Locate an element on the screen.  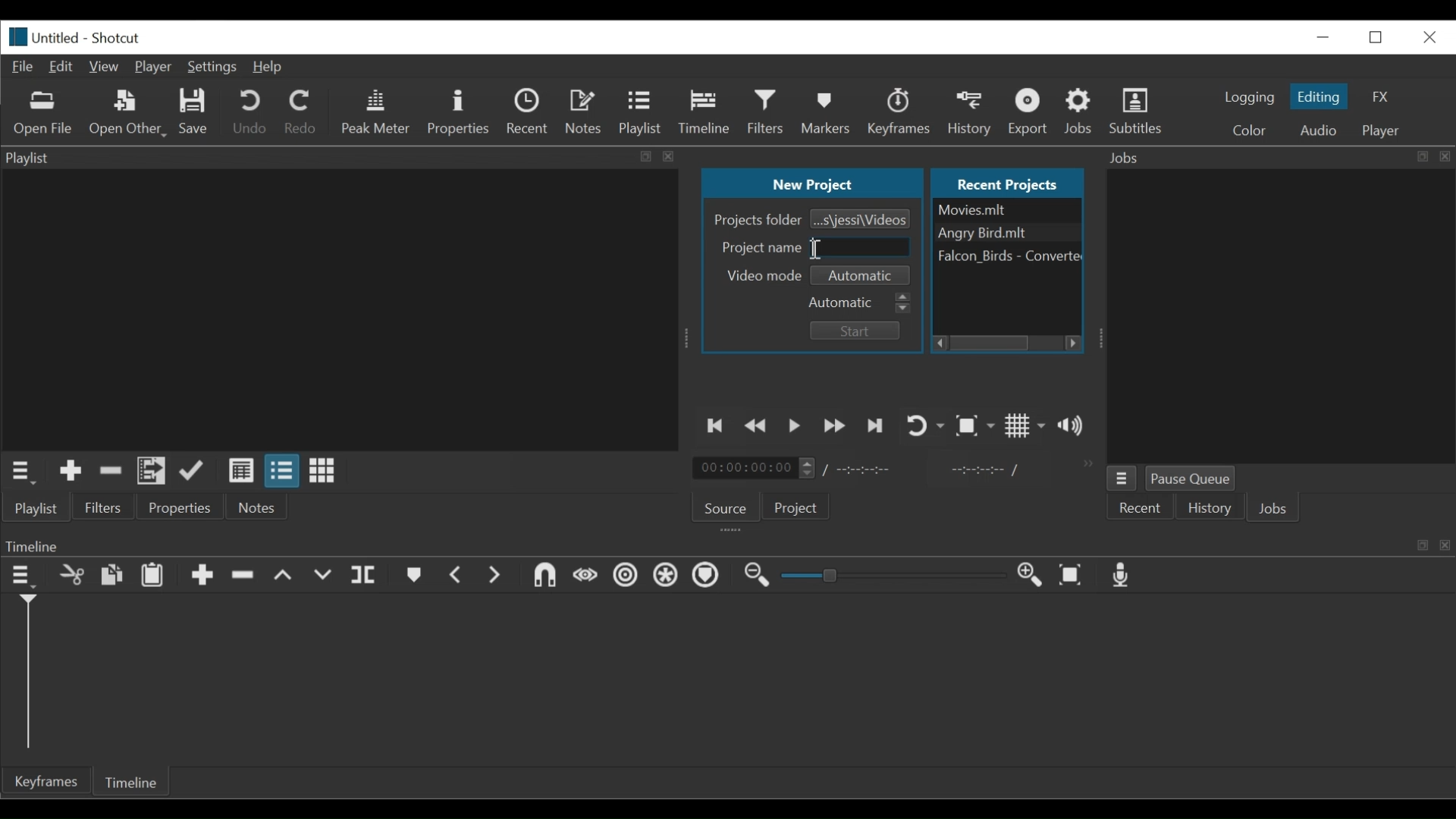
Copy is located at coordinates (111, 575).